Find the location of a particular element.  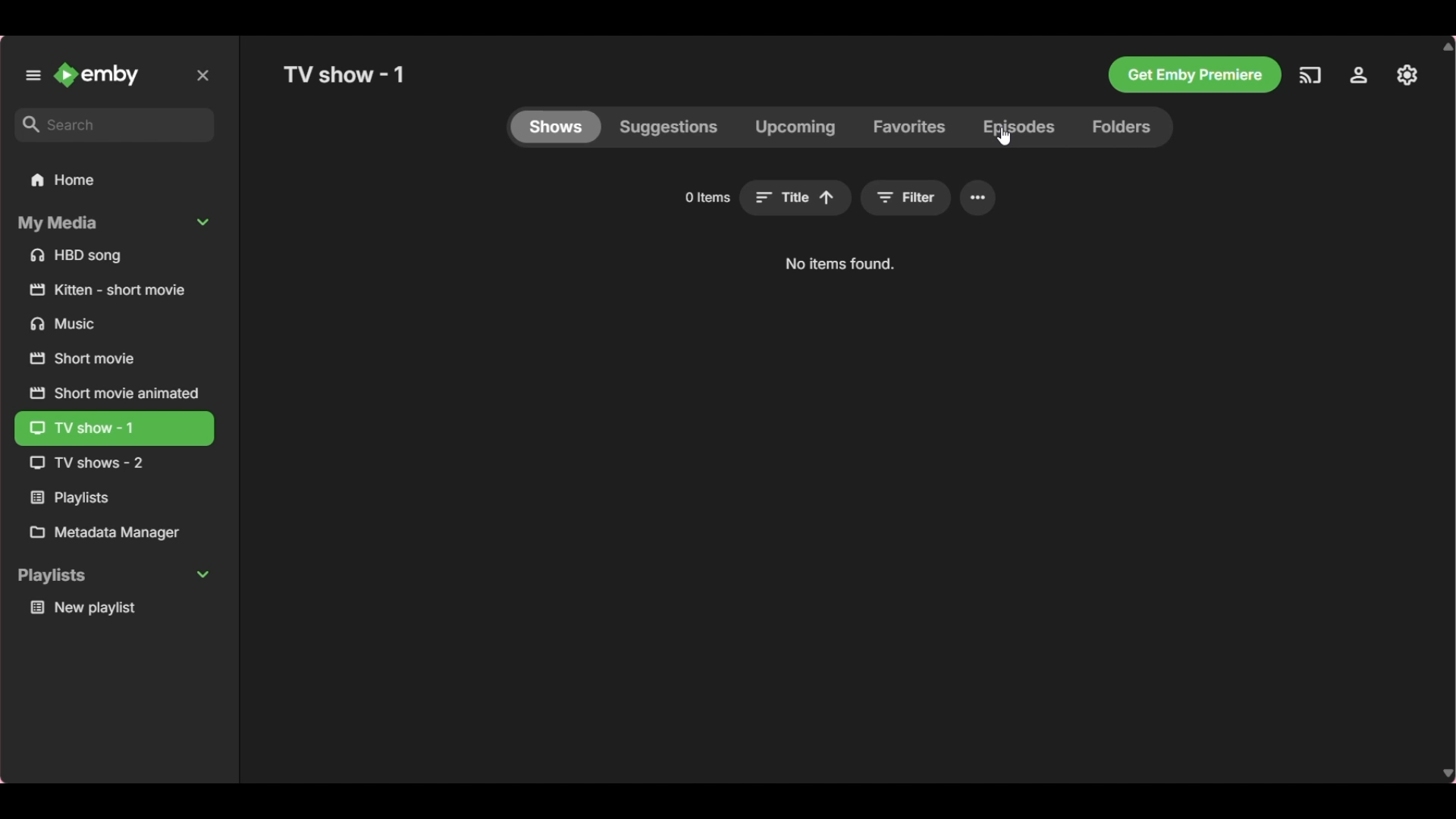

Music is located at coordinates (115, 323).